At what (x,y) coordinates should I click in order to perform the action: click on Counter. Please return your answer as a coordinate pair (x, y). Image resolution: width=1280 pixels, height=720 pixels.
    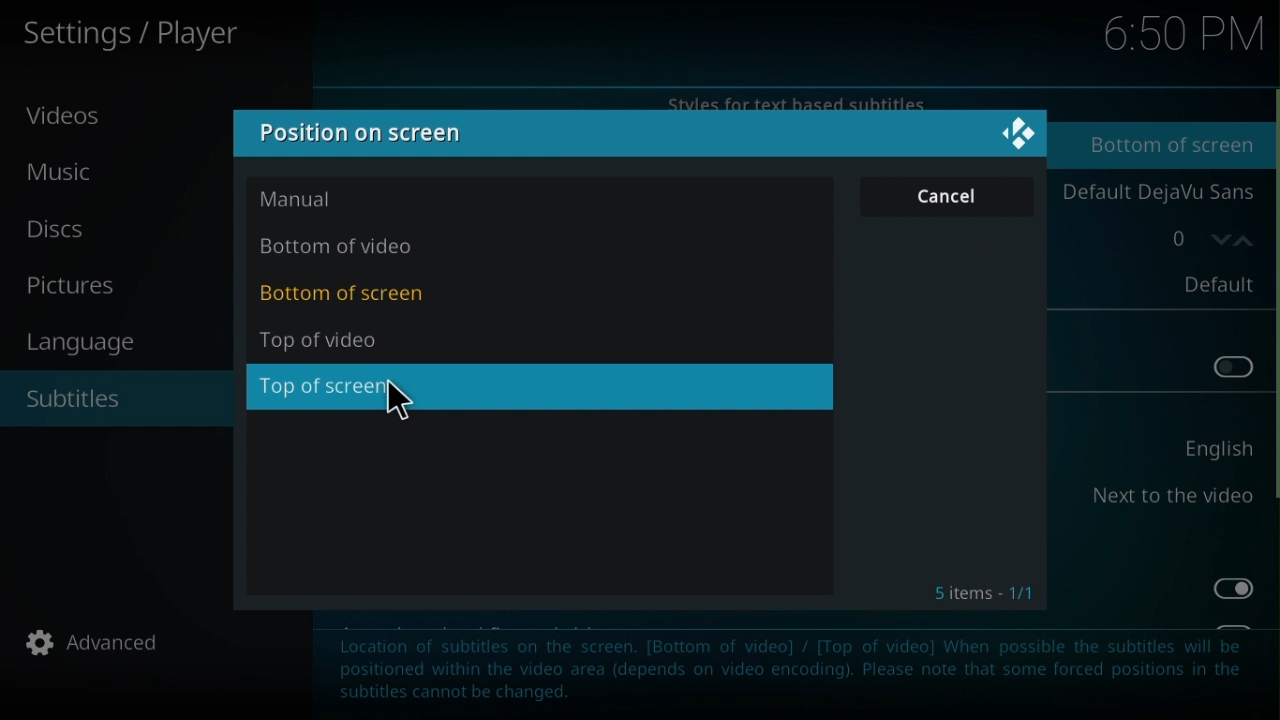
    Looking at the image, I should click on (1195, 239).